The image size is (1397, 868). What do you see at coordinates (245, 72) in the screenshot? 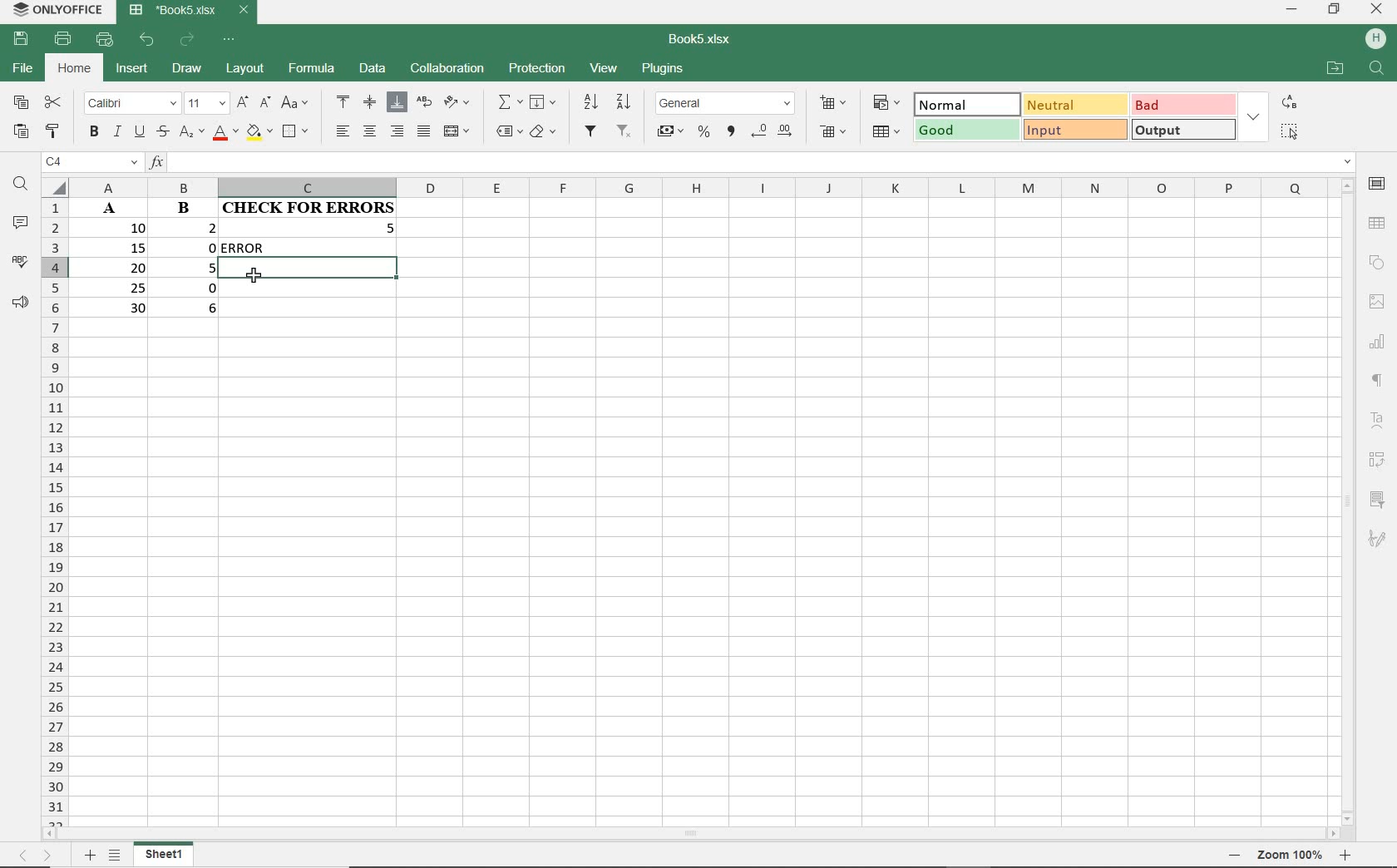
I see `LAYOUT` at bounding box center [245, 72].